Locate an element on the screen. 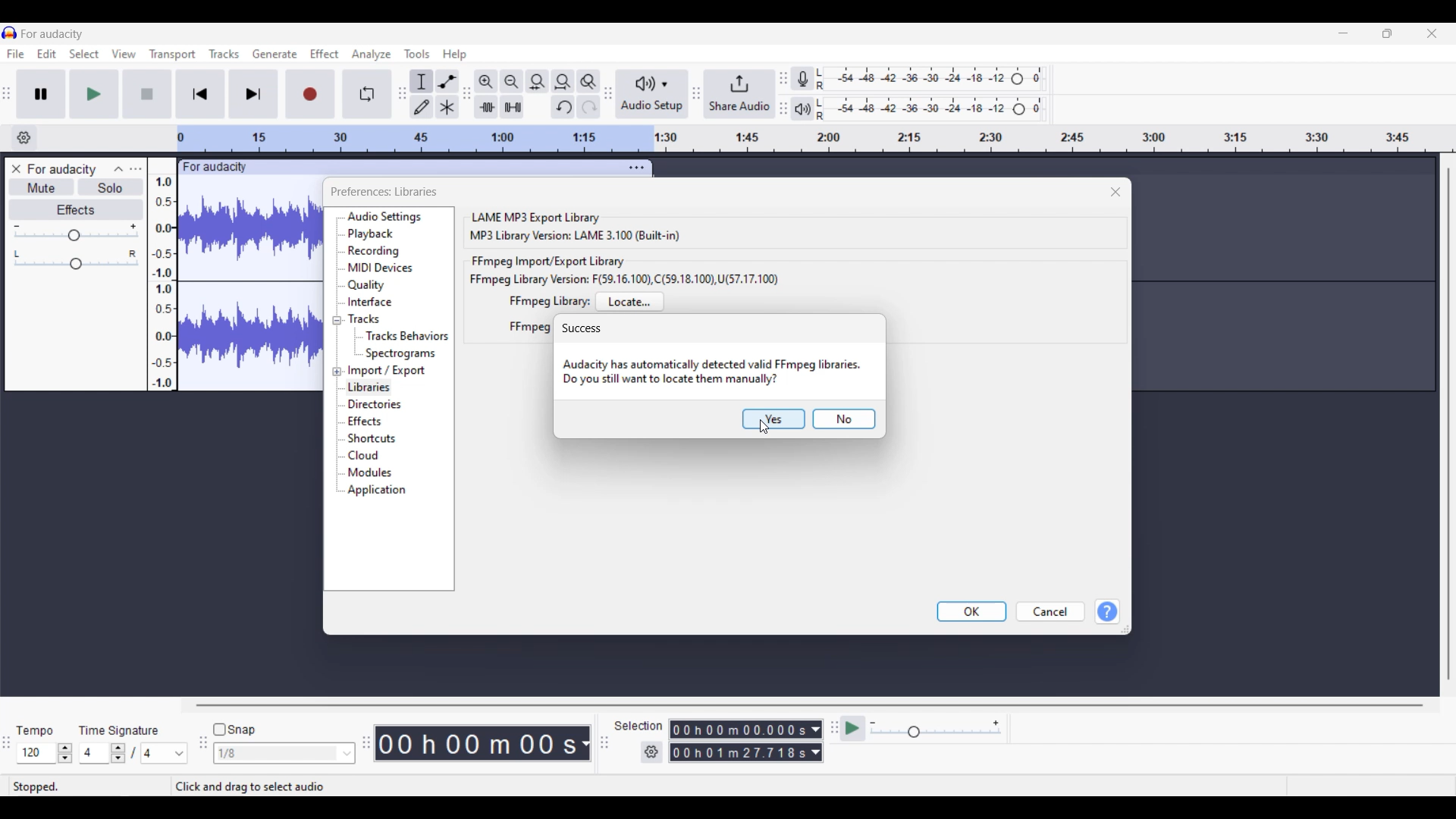 The image size is (1456, 819). Directories  is located at coordinates (378, 405).